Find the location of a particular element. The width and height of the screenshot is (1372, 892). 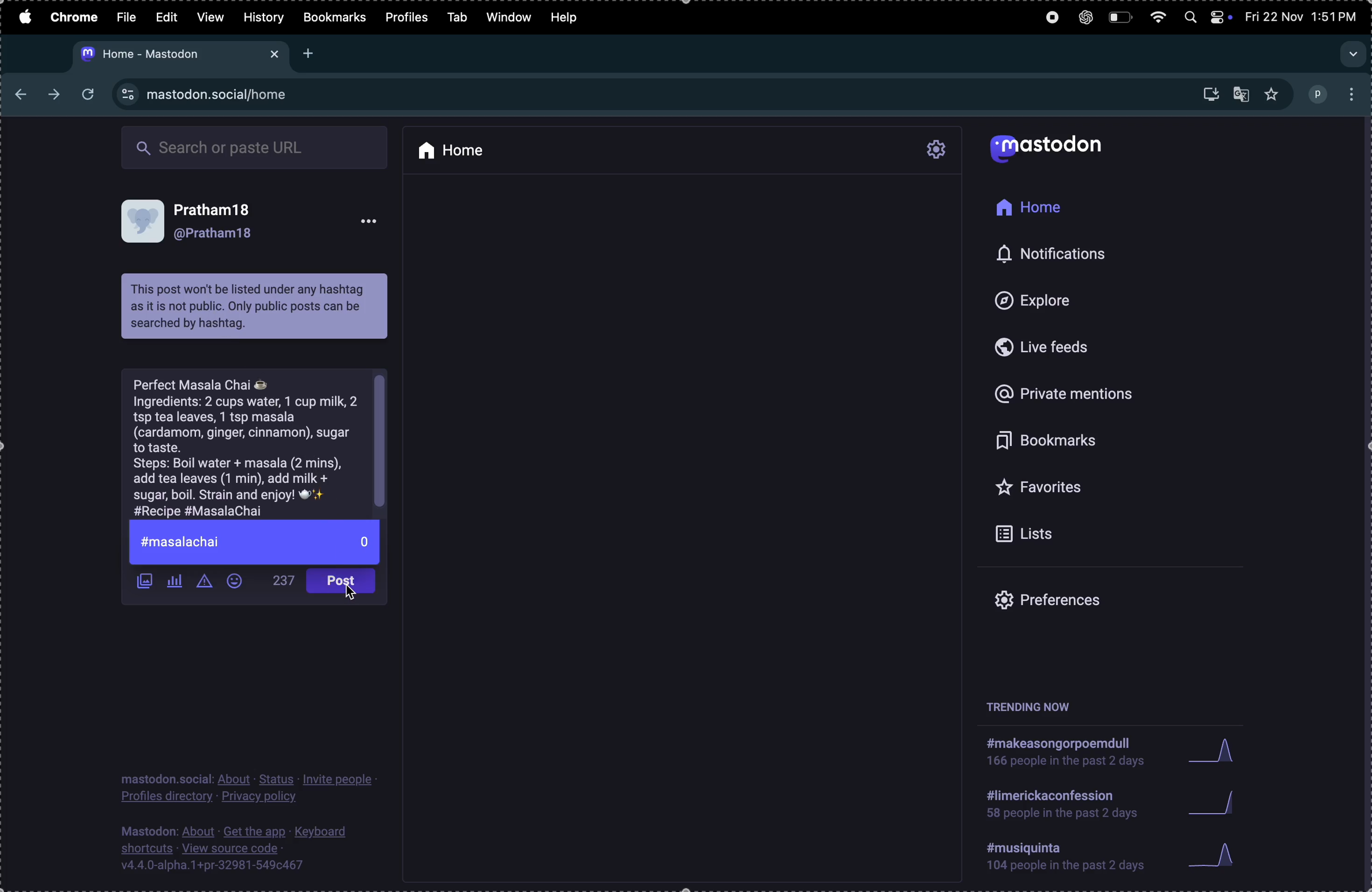

back is located at coordinates (23, 94).